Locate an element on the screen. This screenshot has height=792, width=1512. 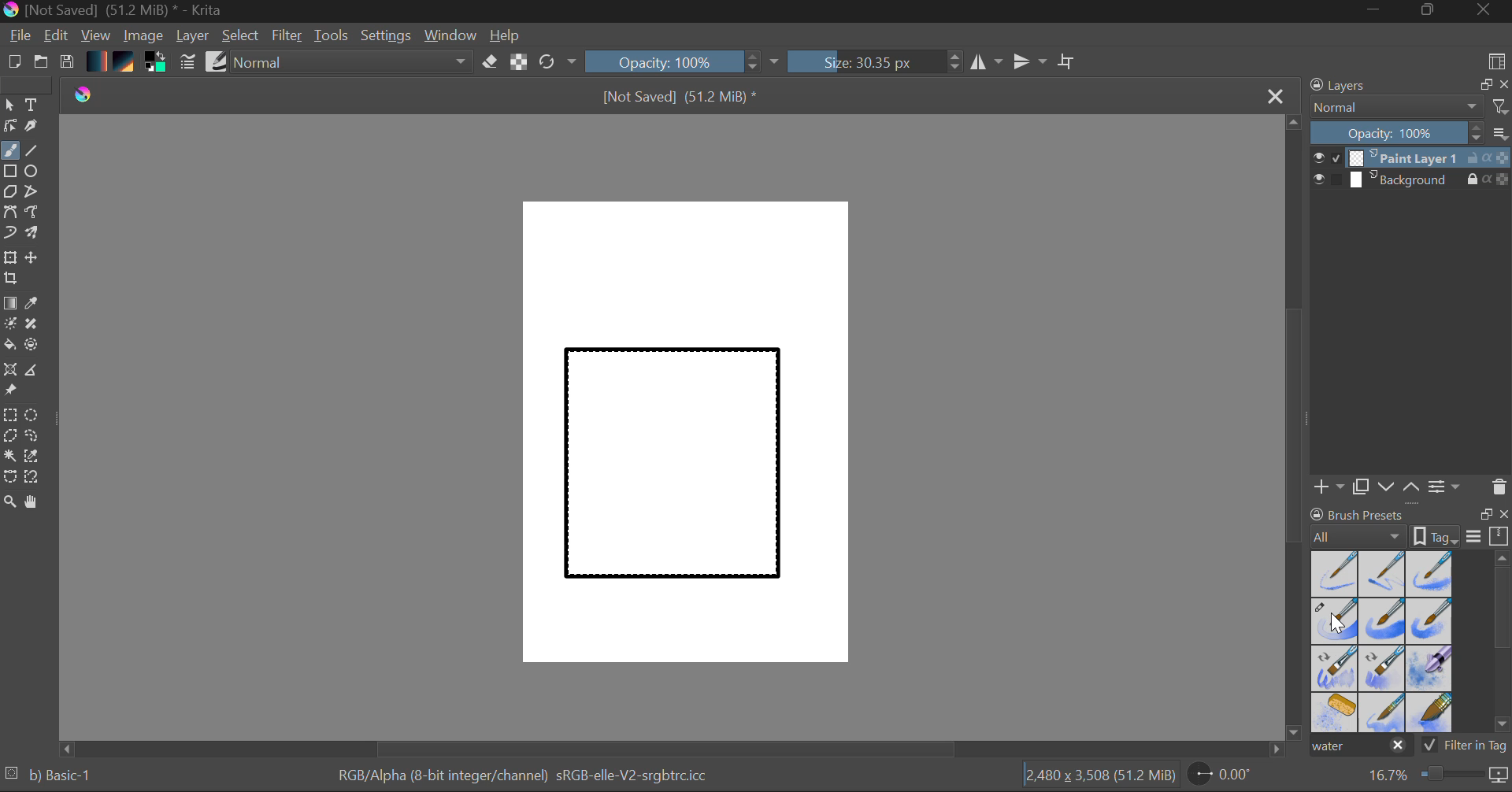
Zoom is located at coordinates (10, 503).